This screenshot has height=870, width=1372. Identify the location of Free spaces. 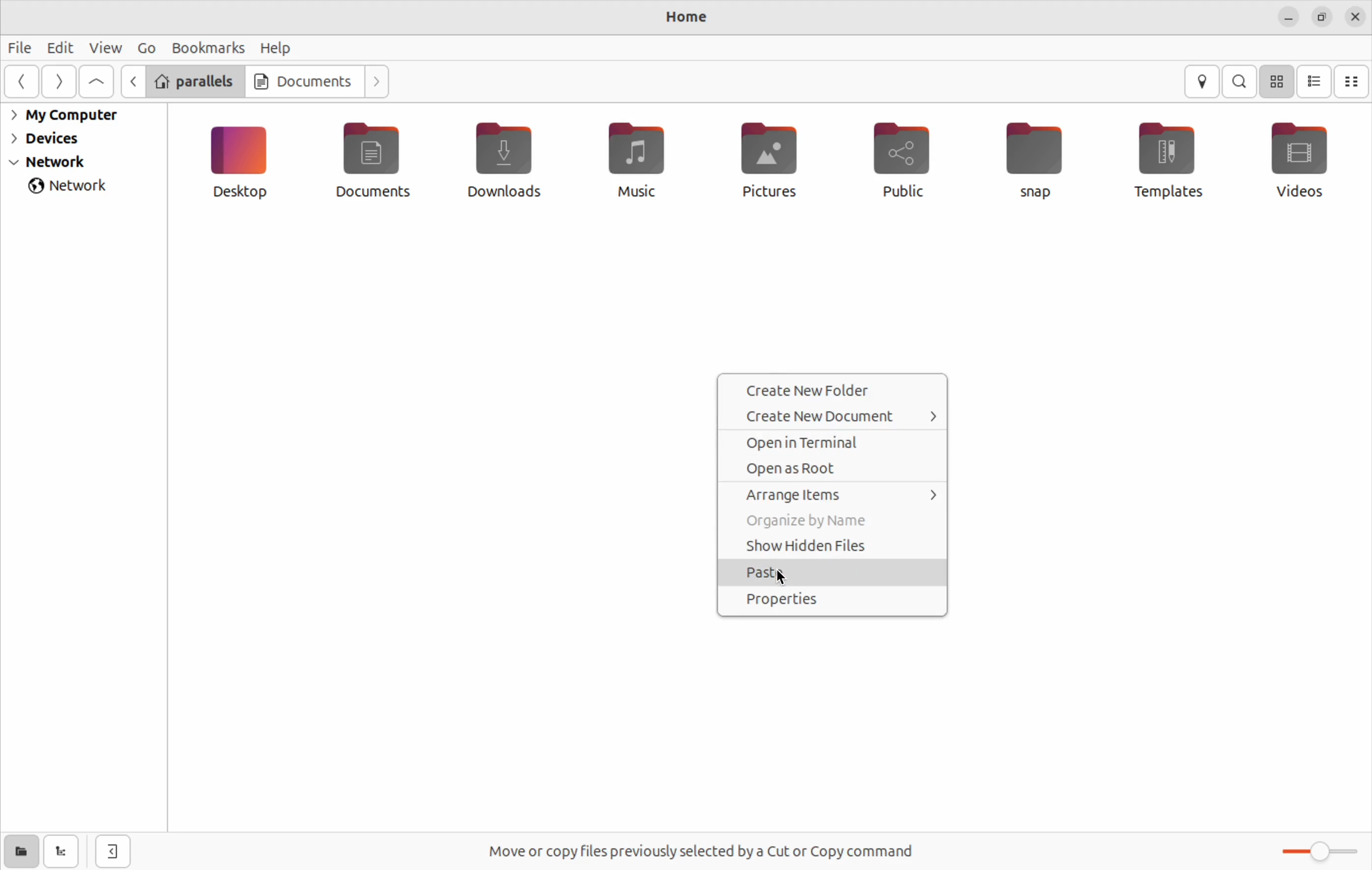
(716, 848).